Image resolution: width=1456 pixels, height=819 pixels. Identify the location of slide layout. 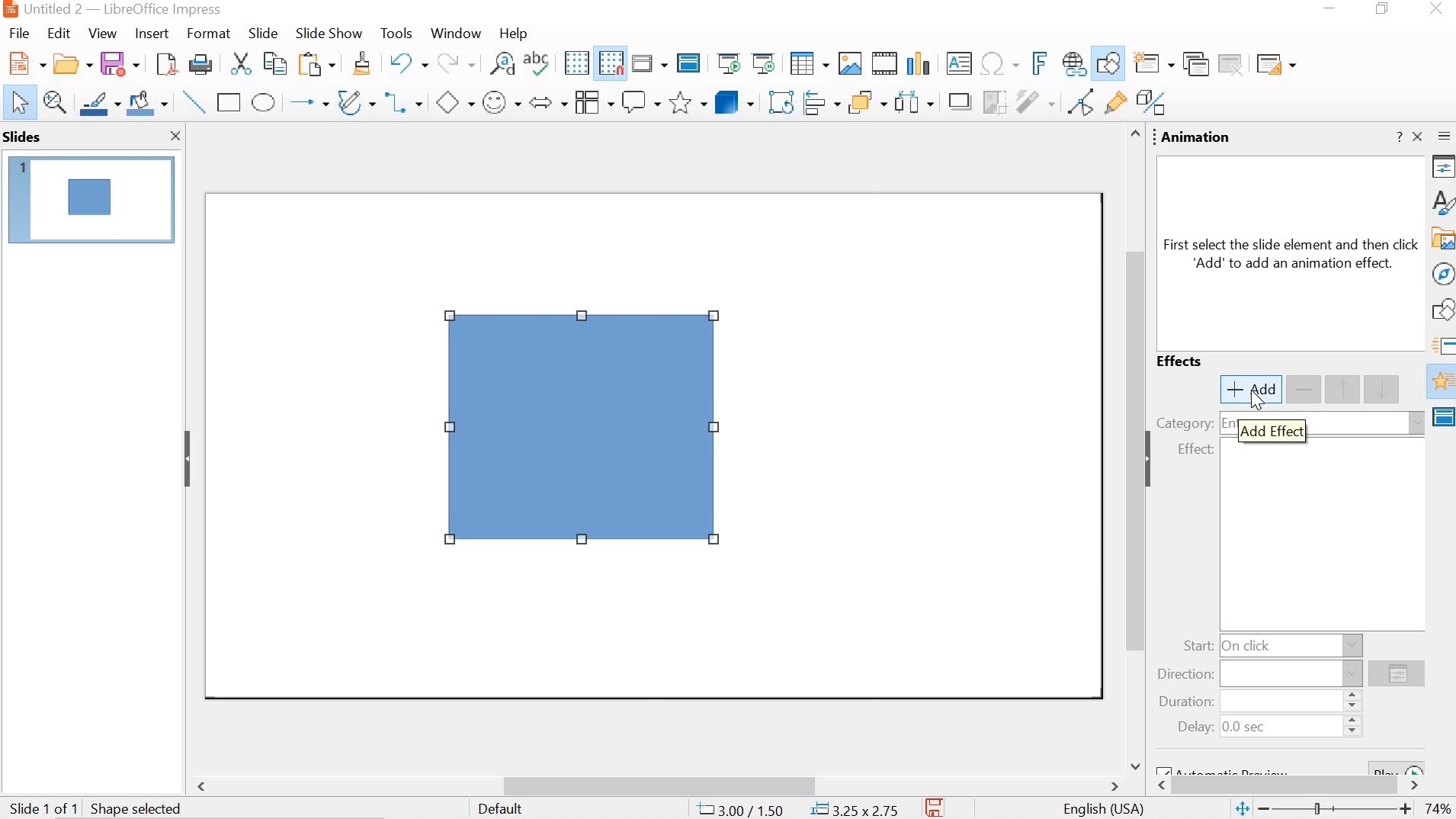
(1275, 66).